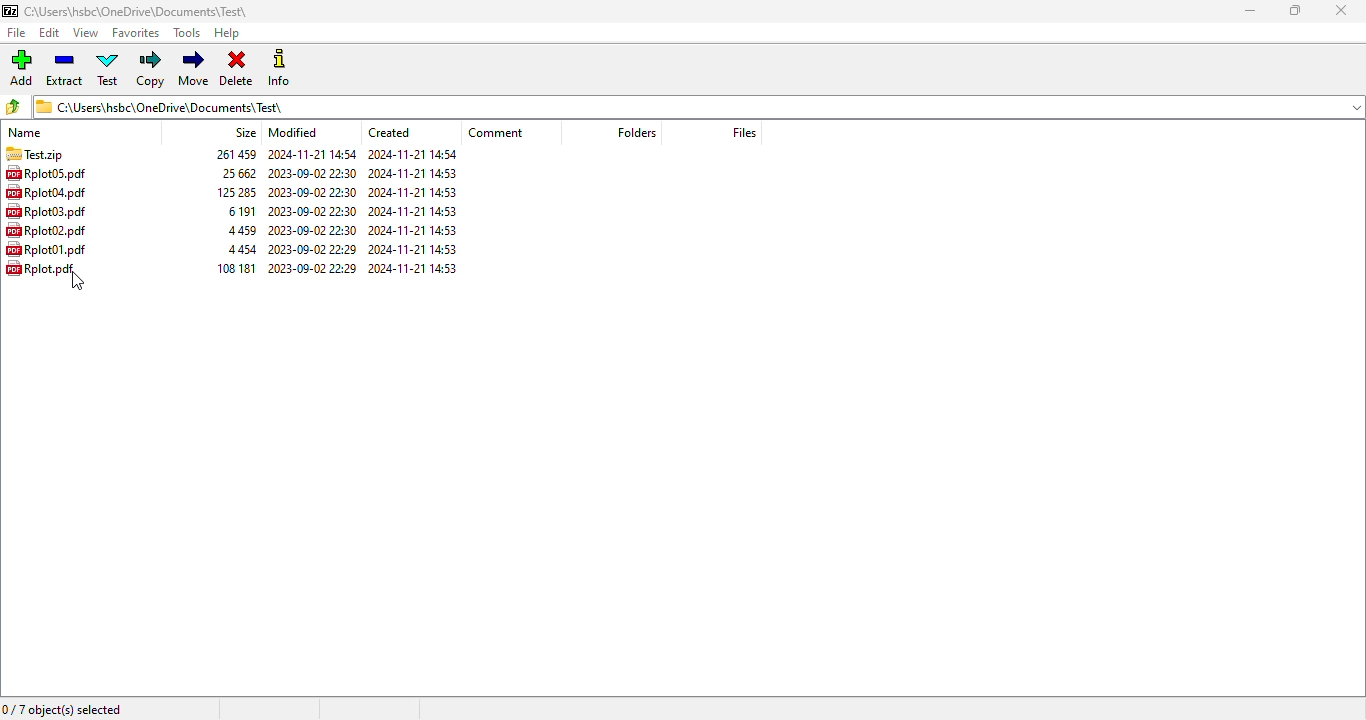 Image resolution: width=1366 pixels, height=720 pixels. I want to click on copy, so click(151, 69).